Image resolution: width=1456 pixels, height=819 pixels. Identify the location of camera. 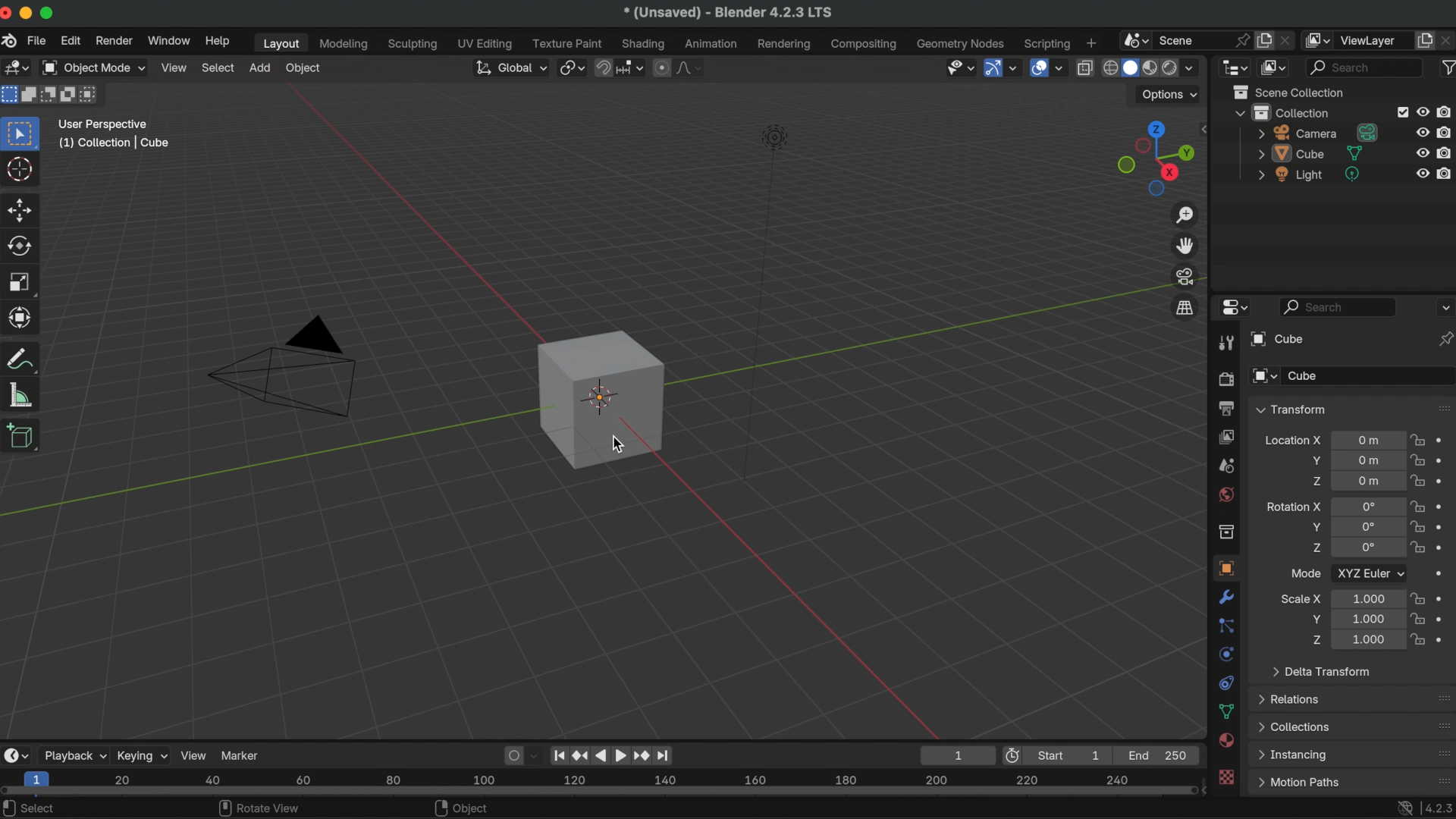
(1319, 133).